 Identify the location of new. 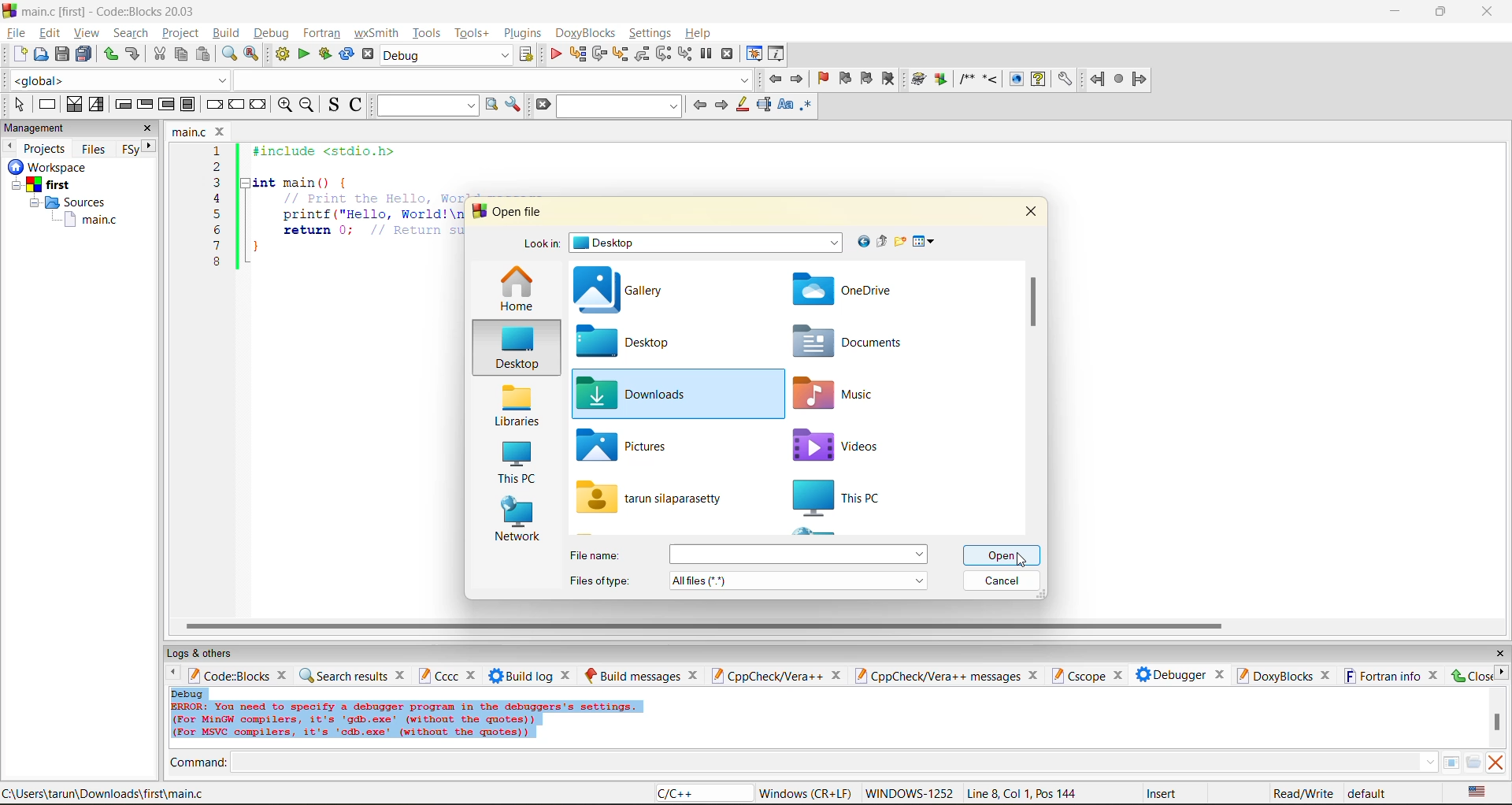
(20, 54).